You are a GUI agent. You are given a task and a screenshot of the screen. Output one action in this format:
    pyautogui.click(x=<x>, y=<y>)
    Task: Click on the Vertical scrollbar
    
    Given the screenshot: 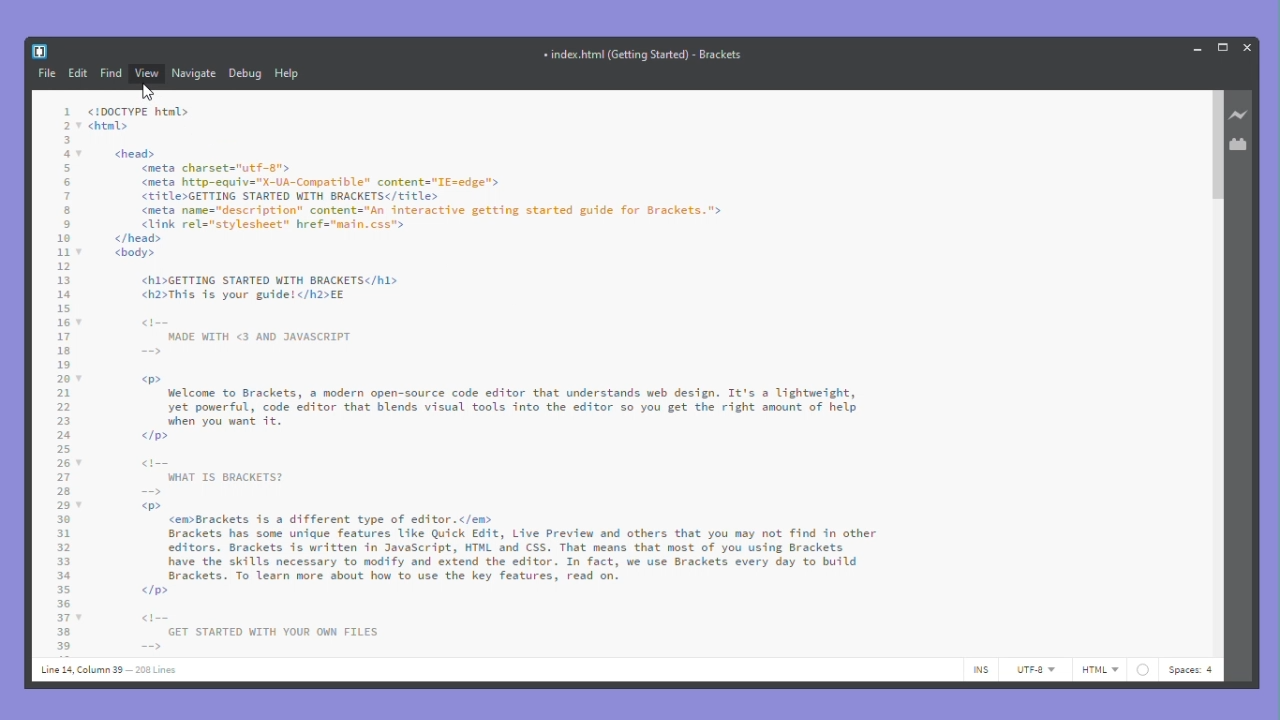 What is the action you would take?
    pyautogui.click(x=1215, y=147)
    